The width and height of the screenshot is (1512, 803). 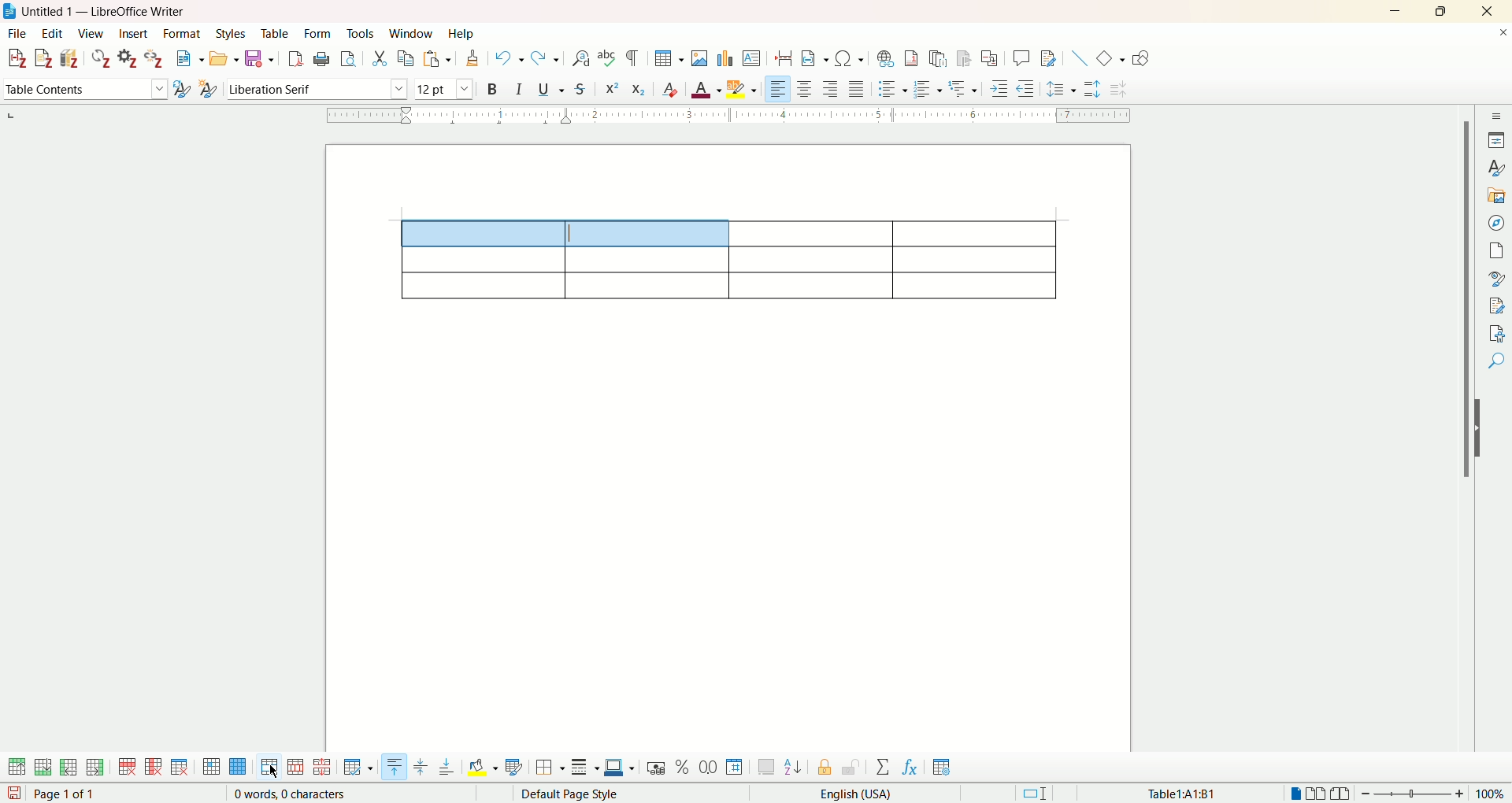 What do you see at coordinates (1467, 441) in the screenshot?
I see `vertical scroll bar` at bounding box center [1467, 441].